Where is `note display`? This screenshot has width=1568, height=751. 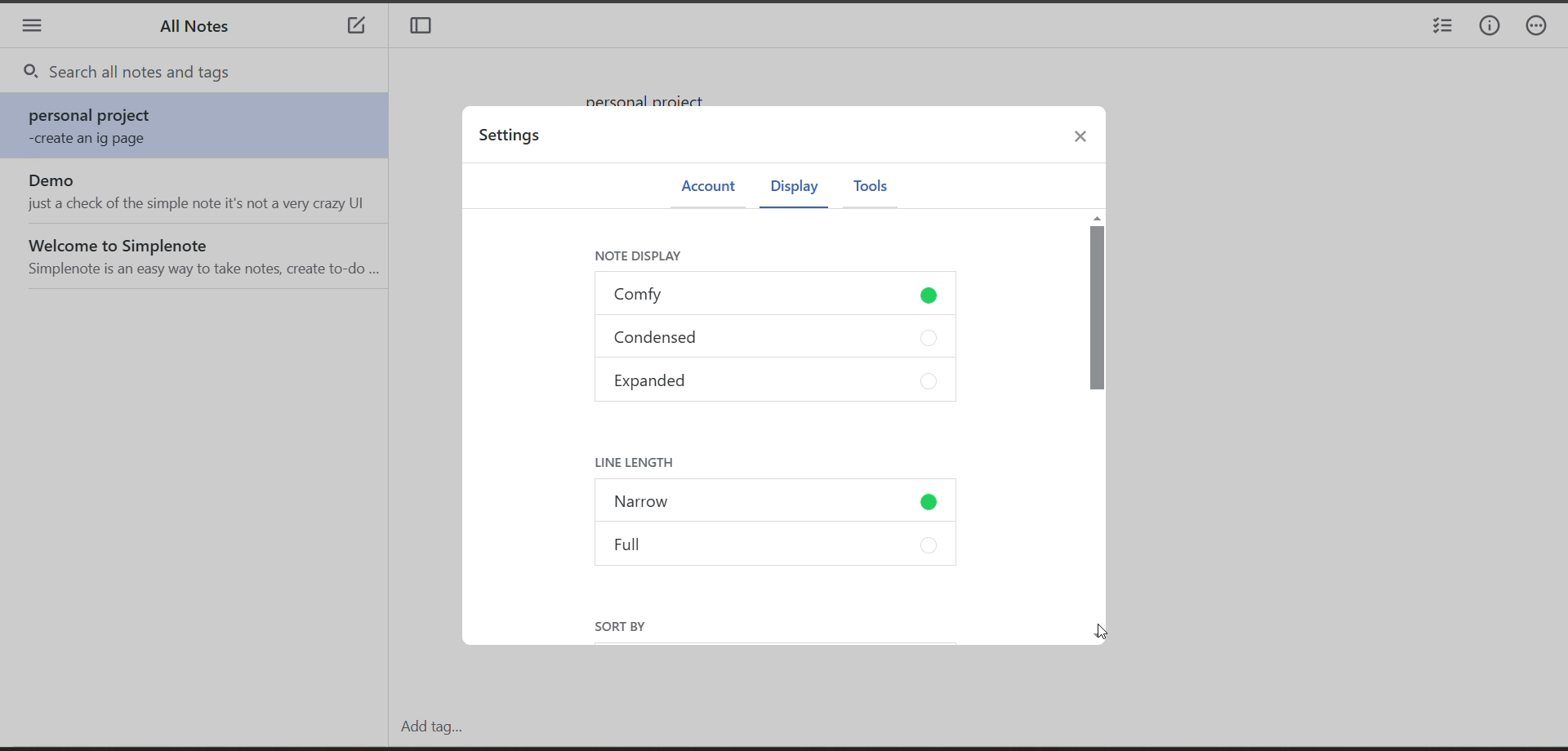
note display is located at coordinates (651, 259).